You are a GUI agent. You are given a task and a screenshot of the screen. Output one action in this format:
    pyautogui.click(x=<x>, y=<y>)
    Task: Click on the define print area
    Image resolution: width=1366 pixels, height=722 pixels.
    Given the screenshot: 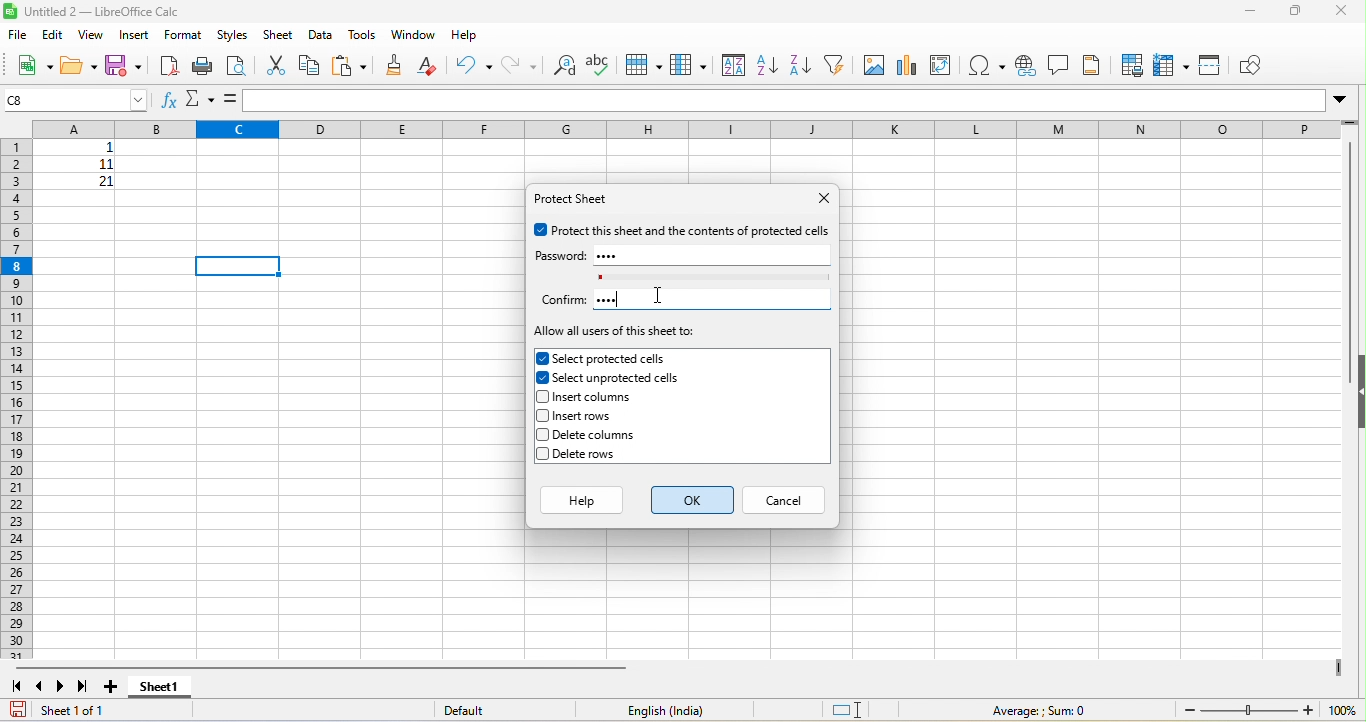 What is the action you would take?
    pyautogui.click(x=1133, y=67)
    